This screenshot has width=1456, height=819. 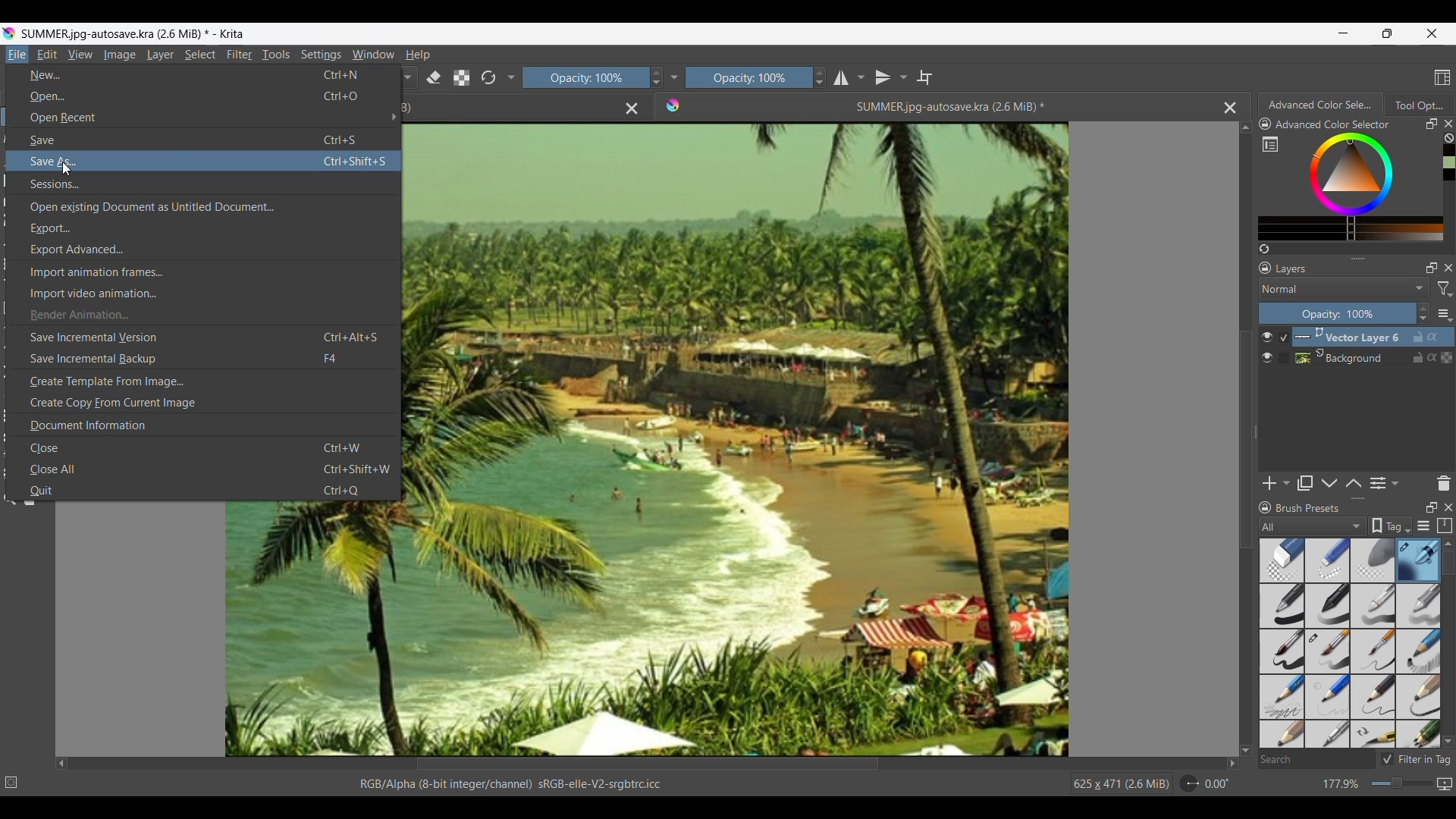 I want to click on Edit, so click(x=47, y=54).